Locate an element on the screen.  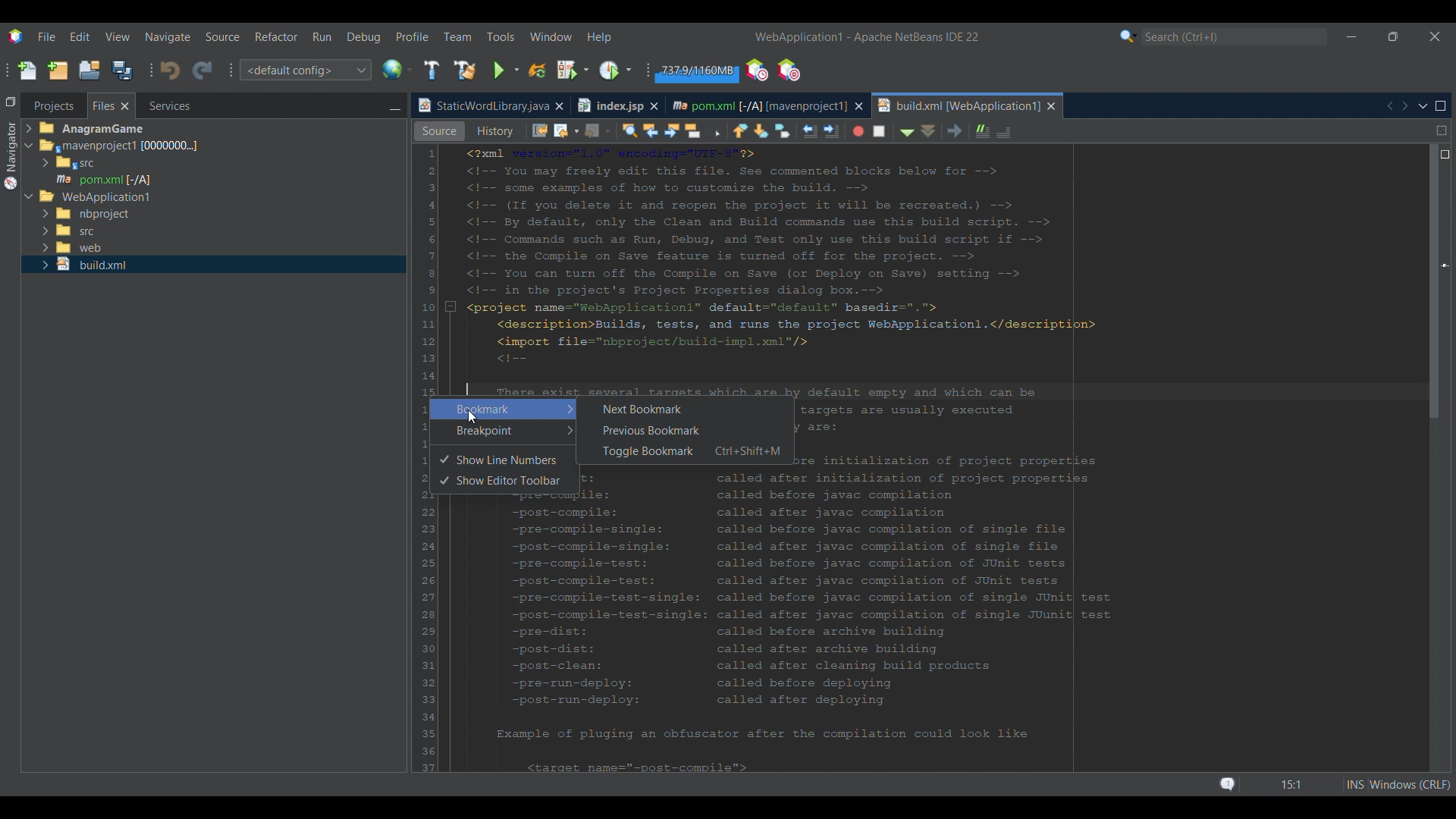
Previous is located at coordinates (1389, 106).